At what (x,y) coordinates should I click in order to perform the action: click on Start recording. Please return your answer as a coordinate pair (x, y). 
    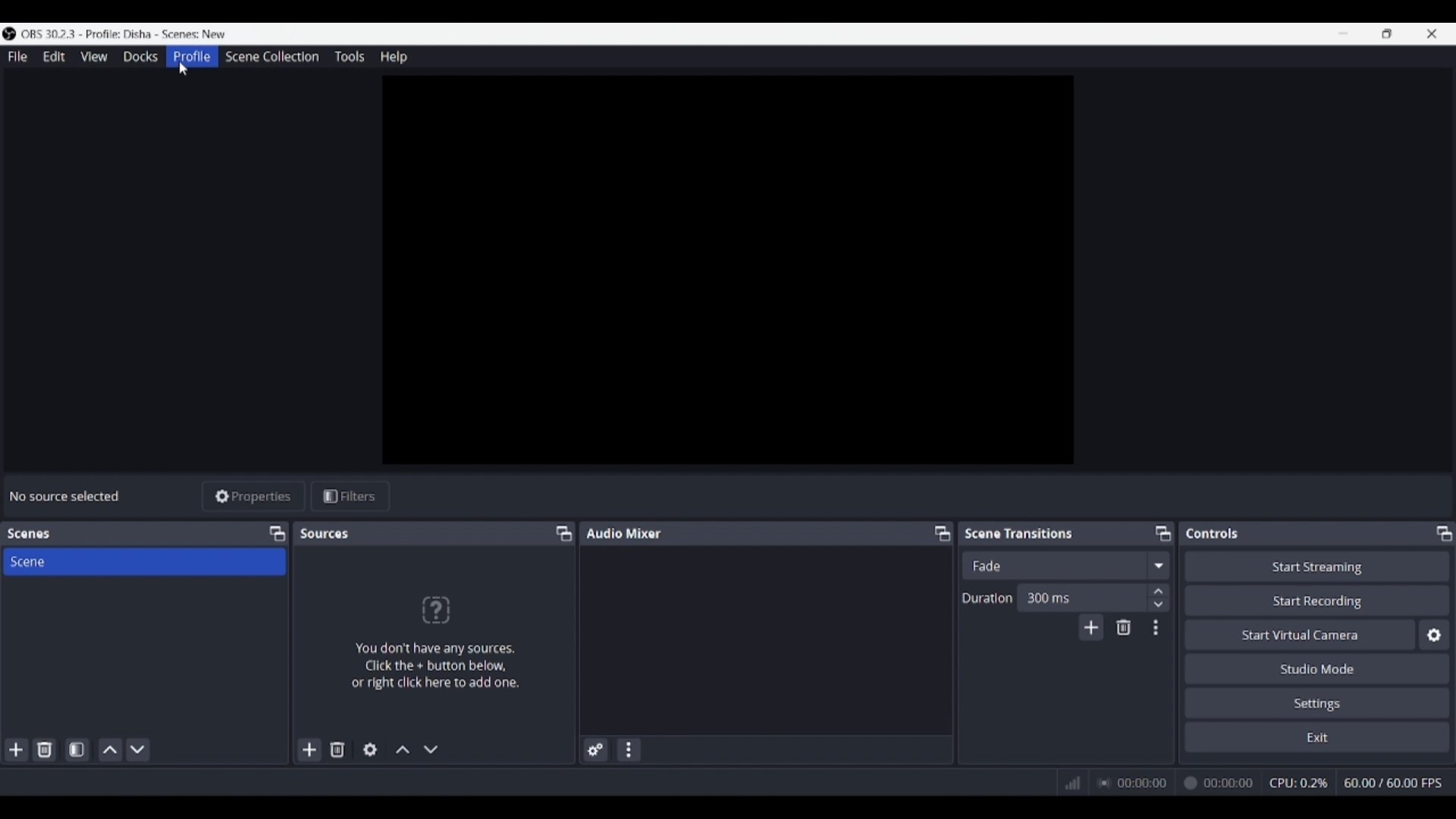
    Looking at the image, I should click on (1318, 600).